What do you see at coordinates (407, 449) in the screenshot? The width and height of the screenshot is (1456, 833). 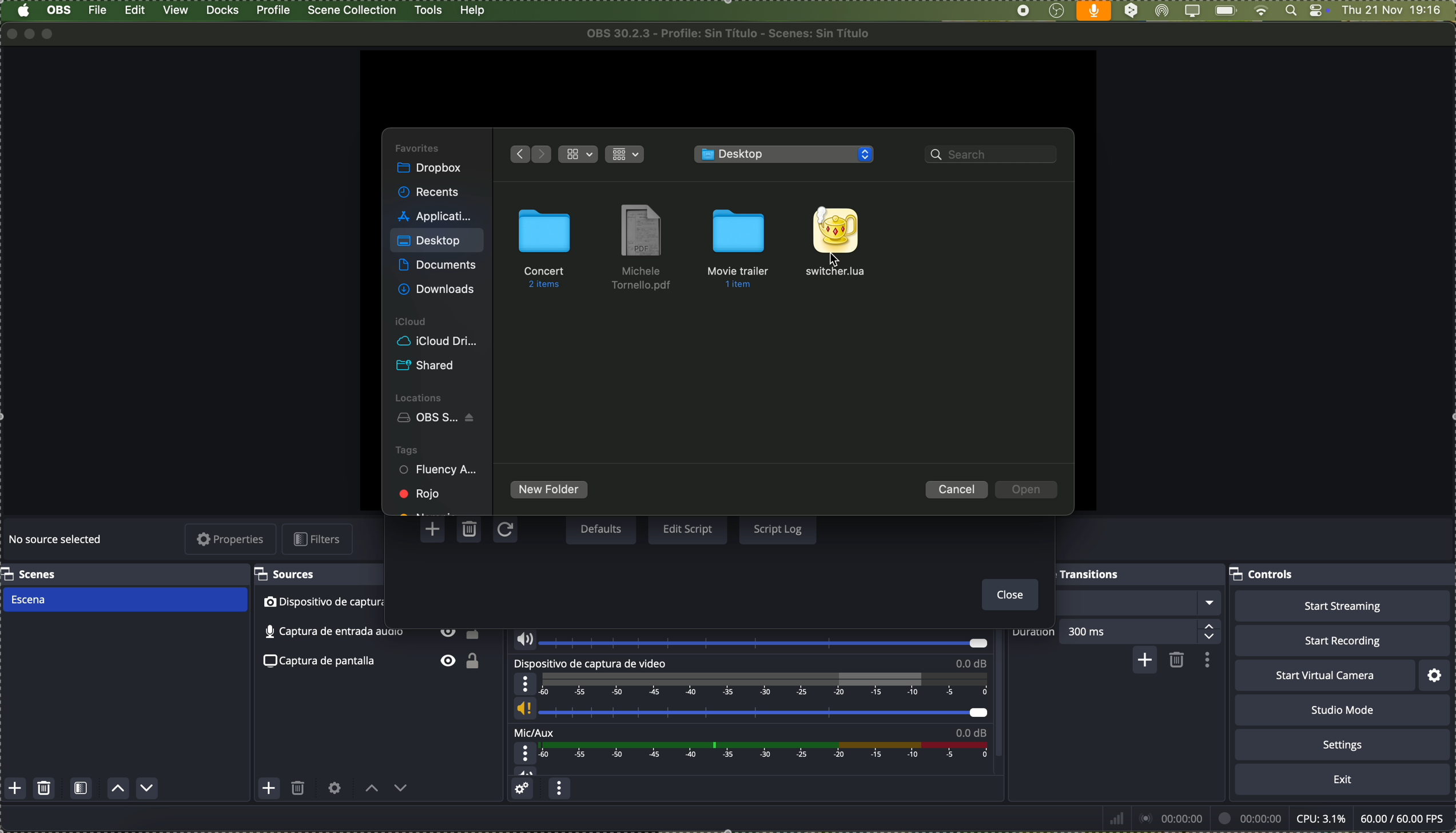 I see `tags` at bounding box center [407, 449].